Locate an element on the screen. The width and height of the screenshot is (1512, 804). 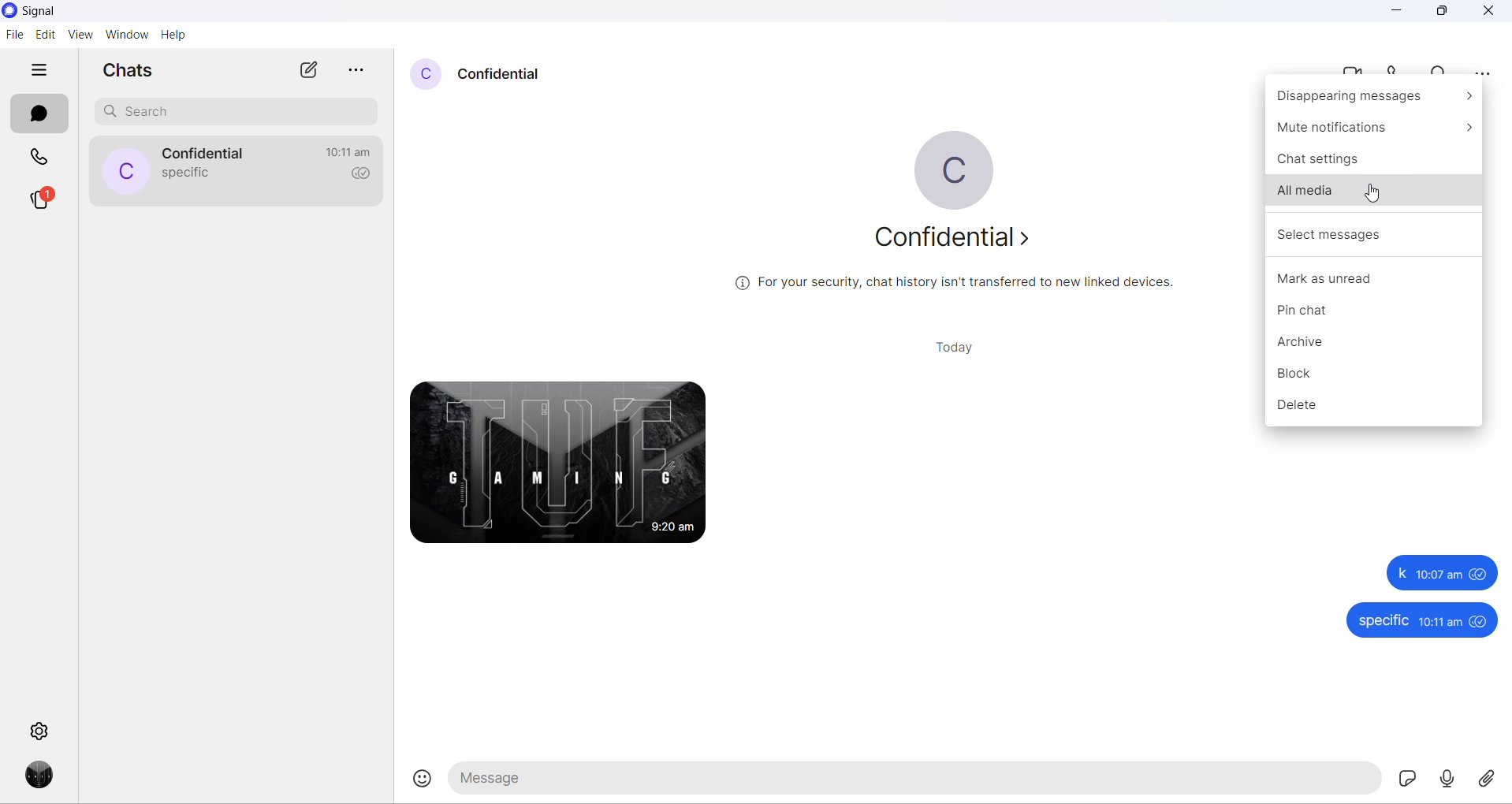
video call is located at coordinates (1357, 69).